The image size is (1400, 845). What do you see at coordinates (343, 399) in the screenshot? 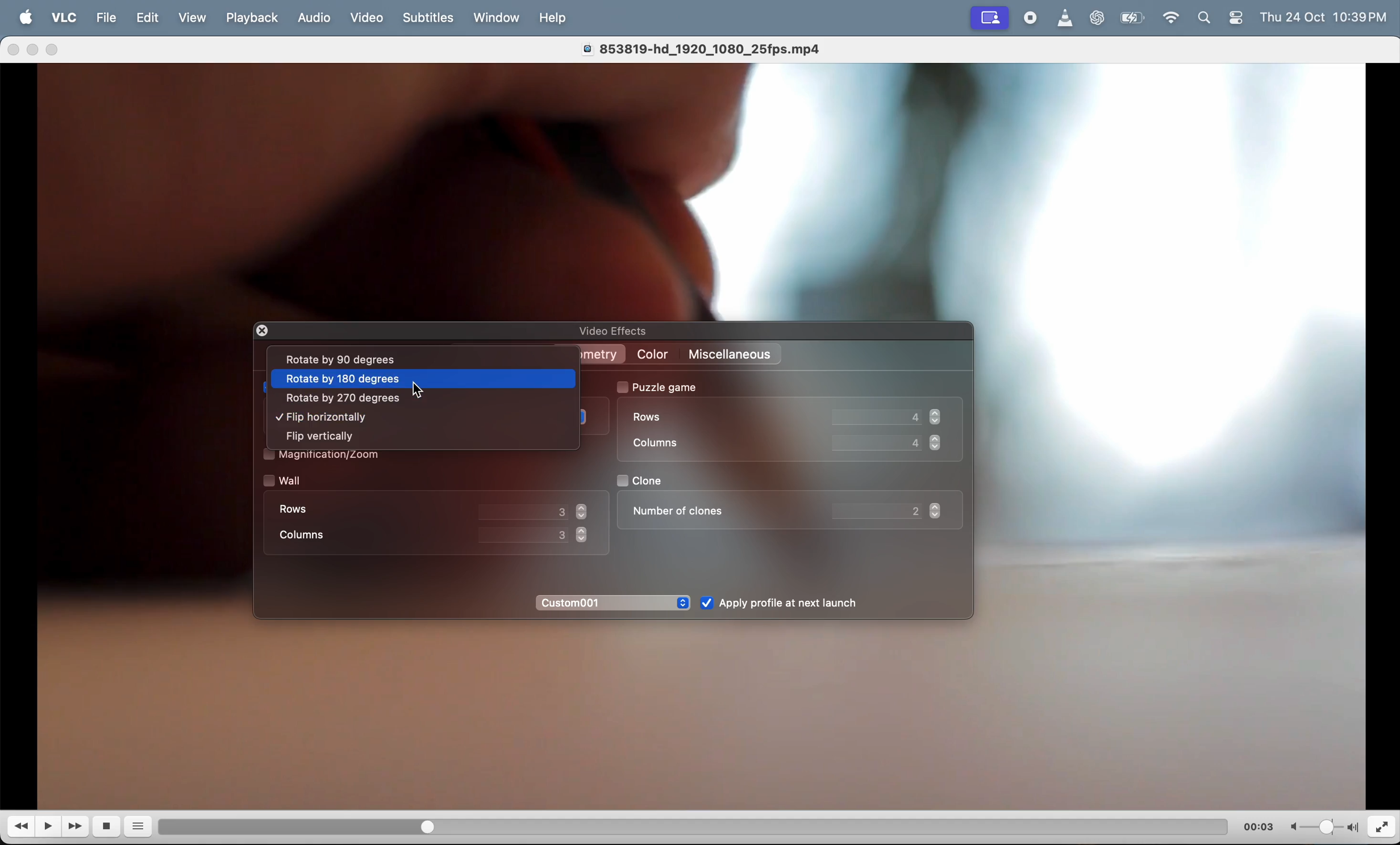
I see `rotate by 270` at bounding box center [343, 399].